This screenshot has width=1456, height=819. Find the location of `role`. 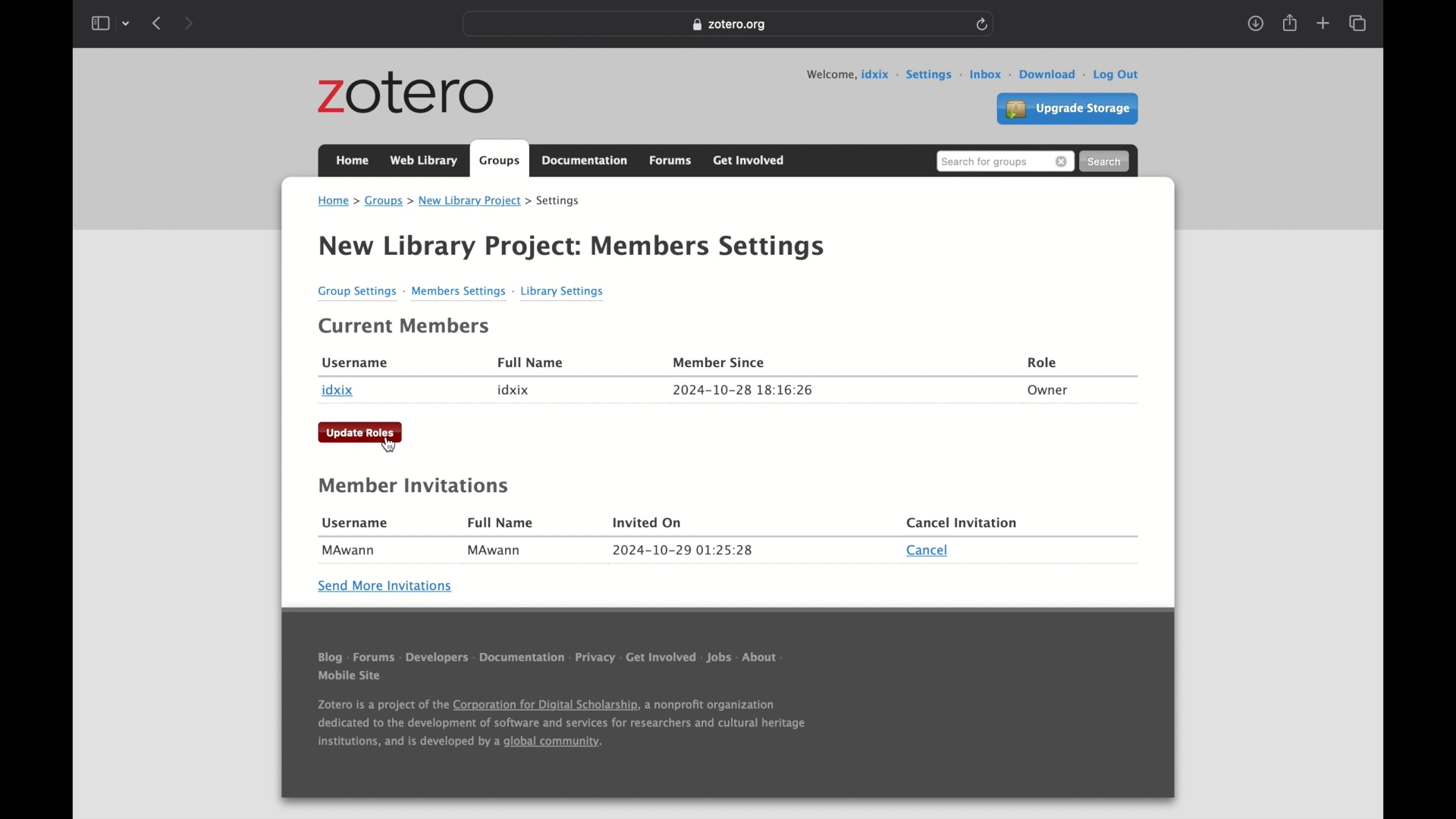

role is located at coordinates (1043, 362).